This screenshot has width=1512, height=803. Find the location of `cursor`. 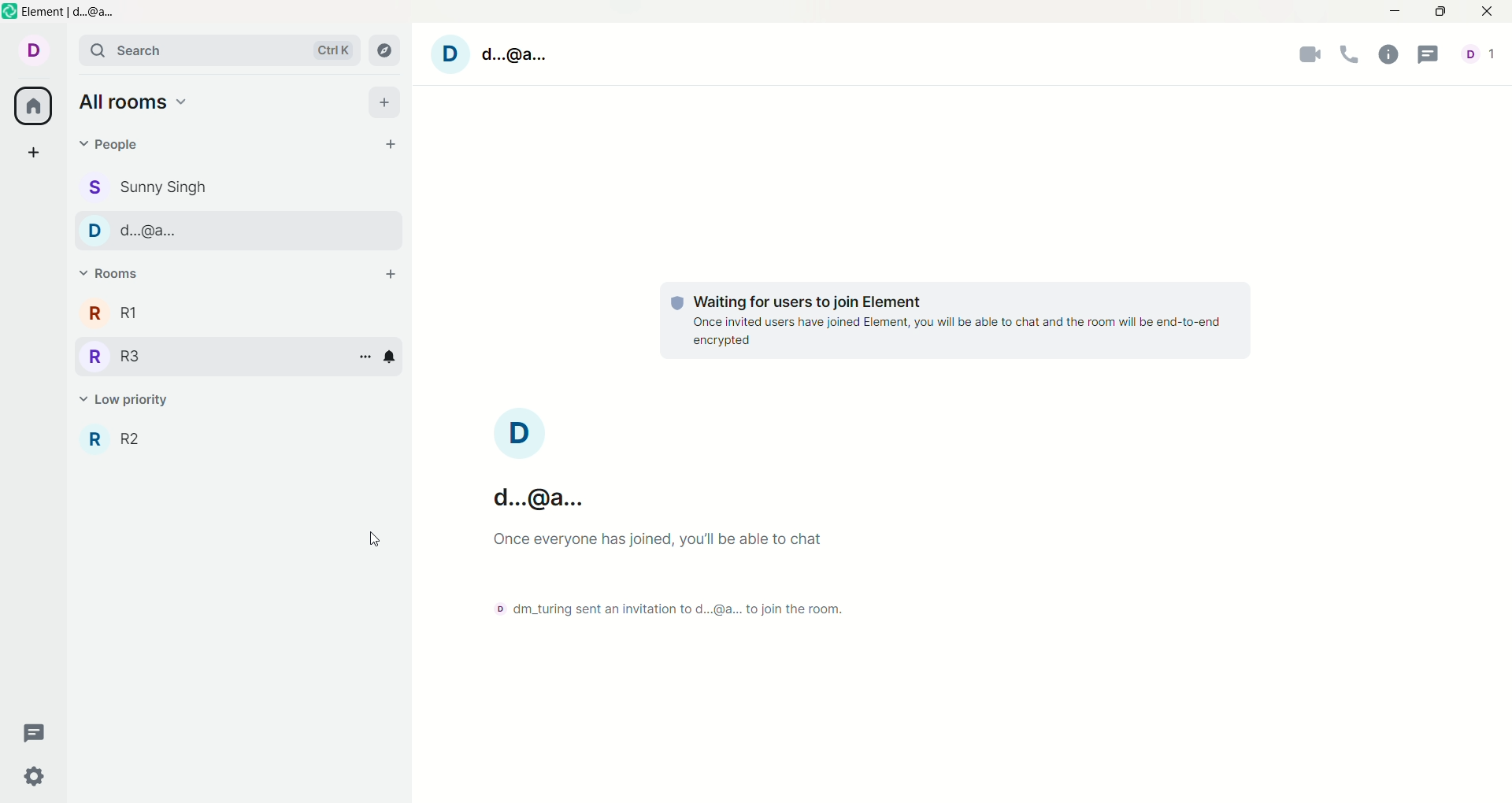

cursor is located at coordinates (374, 535).